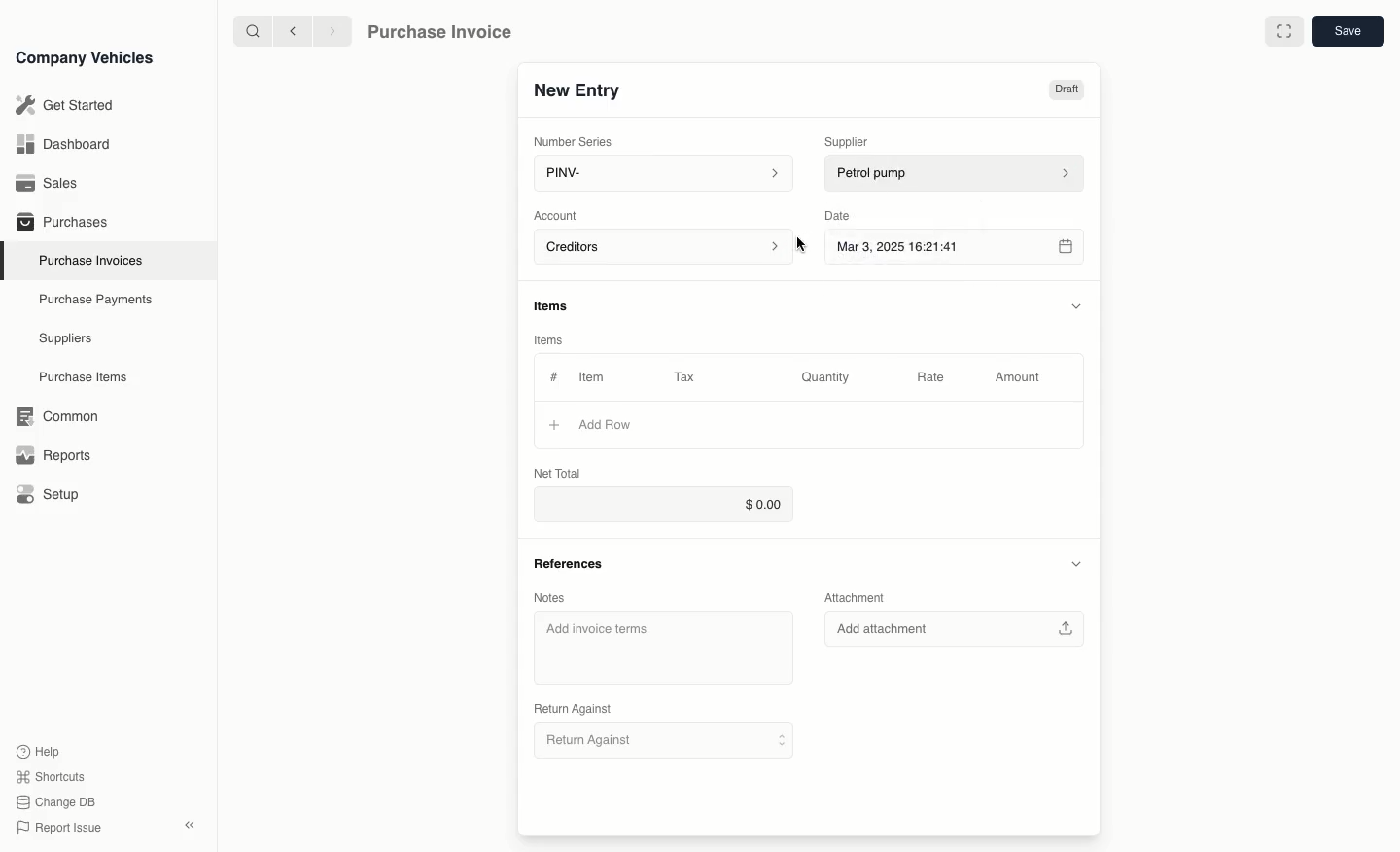 The height and width of the screenshot is (852, 1400). I want to click on collapse, so click(1077, 304).